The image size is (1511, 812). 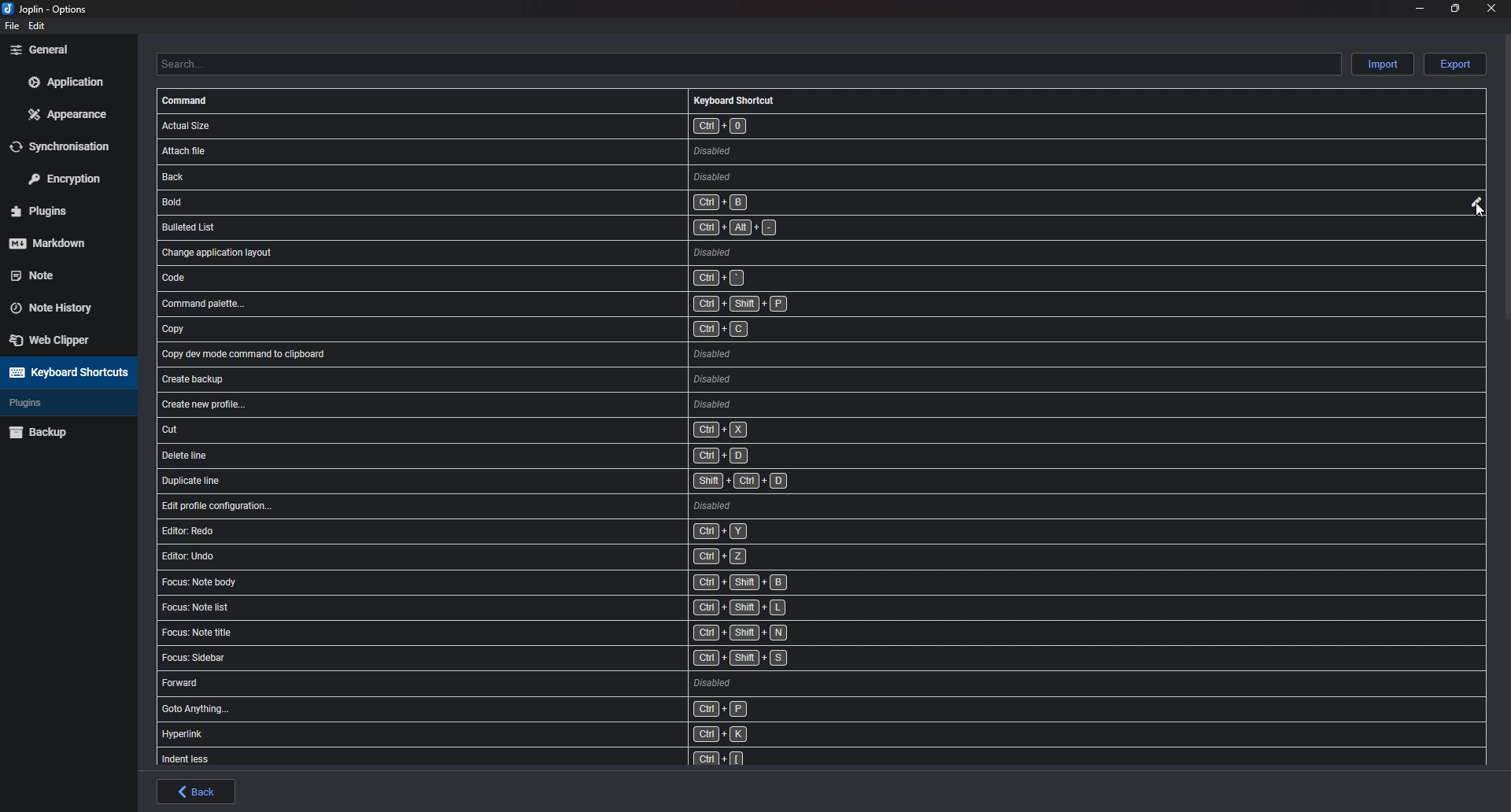 I want to click on mark down, so click(x=61, y=242).